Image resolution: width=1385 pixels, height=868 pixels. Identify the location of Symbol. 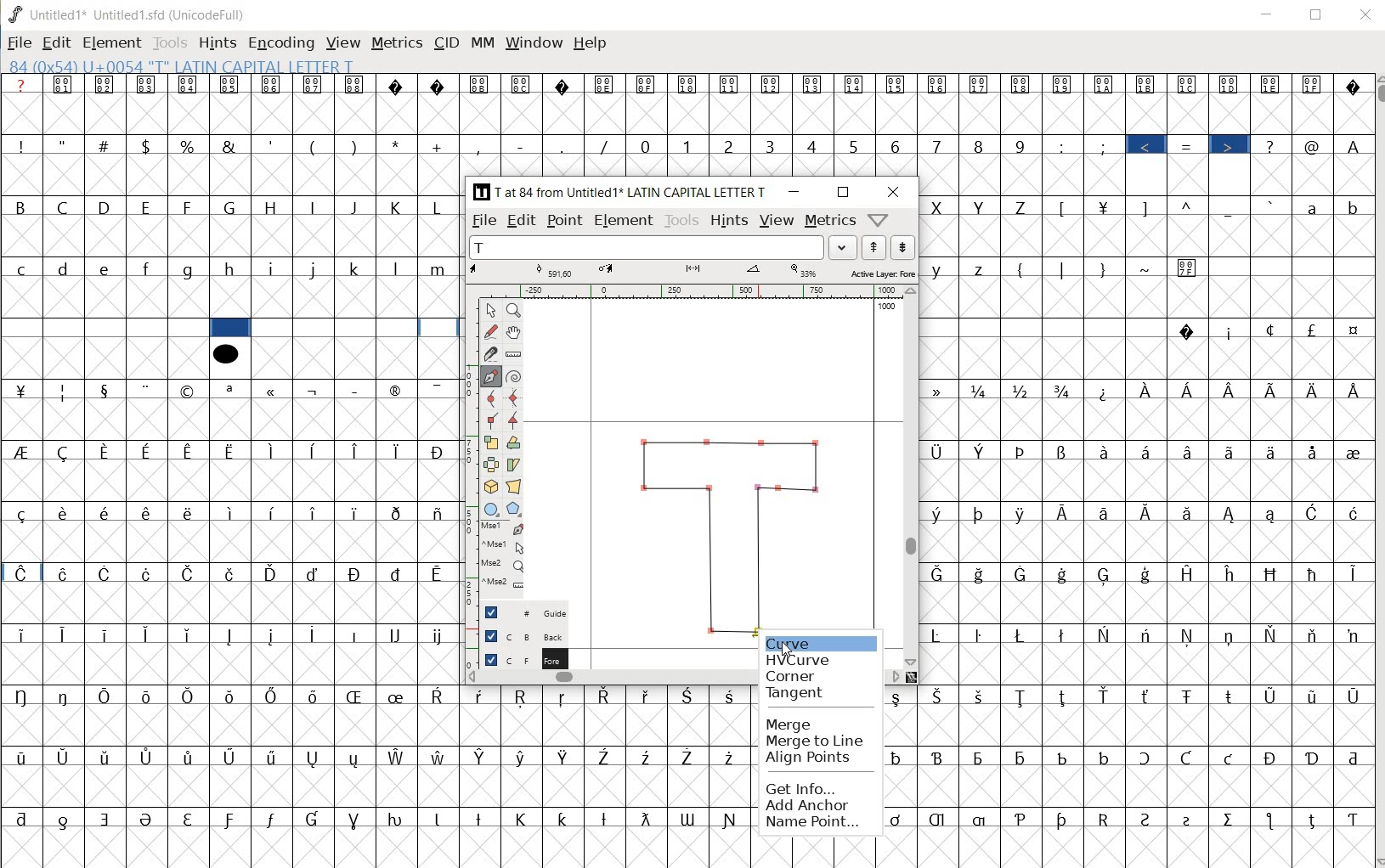
(438, 389).